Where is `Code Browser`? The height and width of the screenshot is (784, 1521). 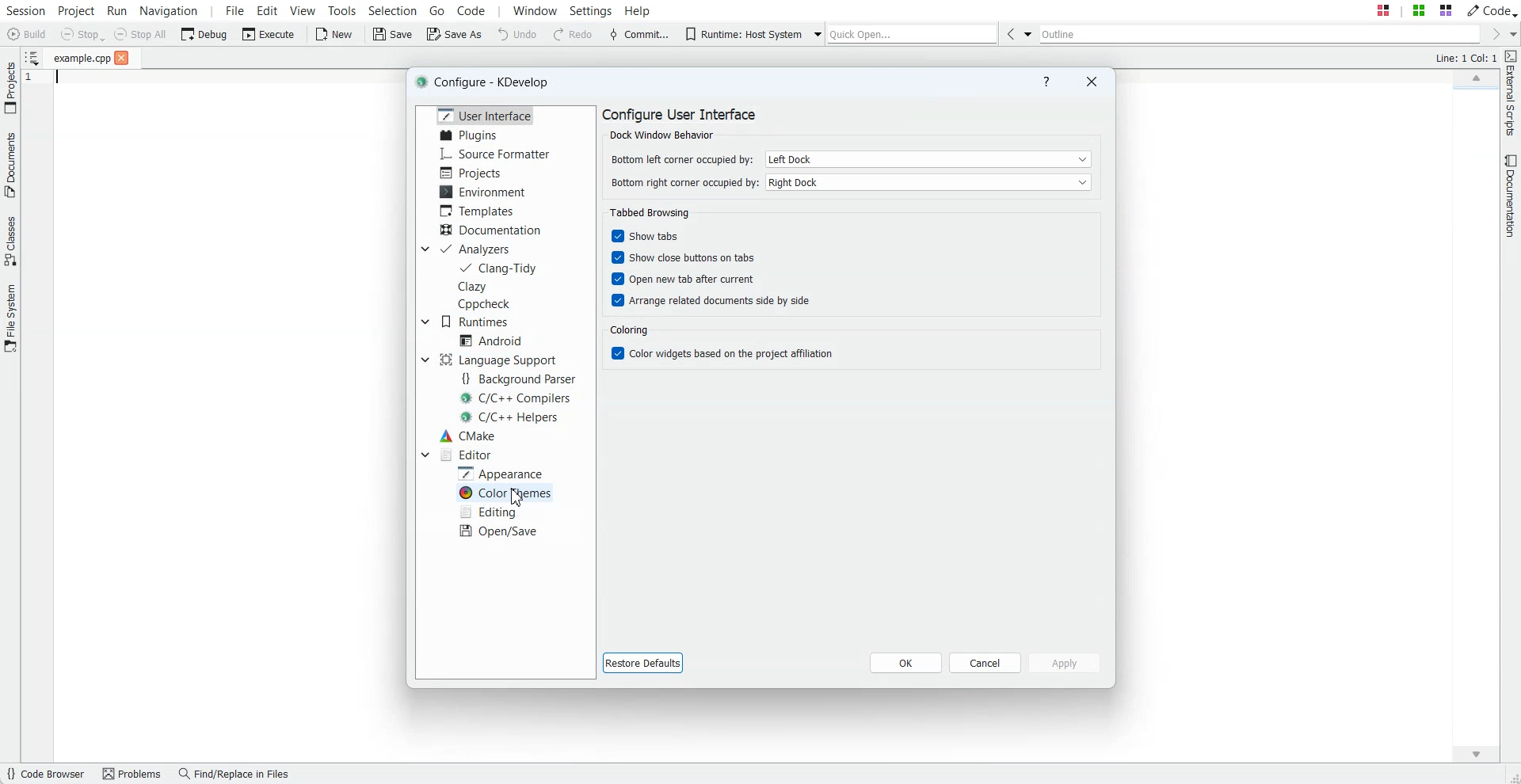
Code Browser is located at coordinates (48, 774).